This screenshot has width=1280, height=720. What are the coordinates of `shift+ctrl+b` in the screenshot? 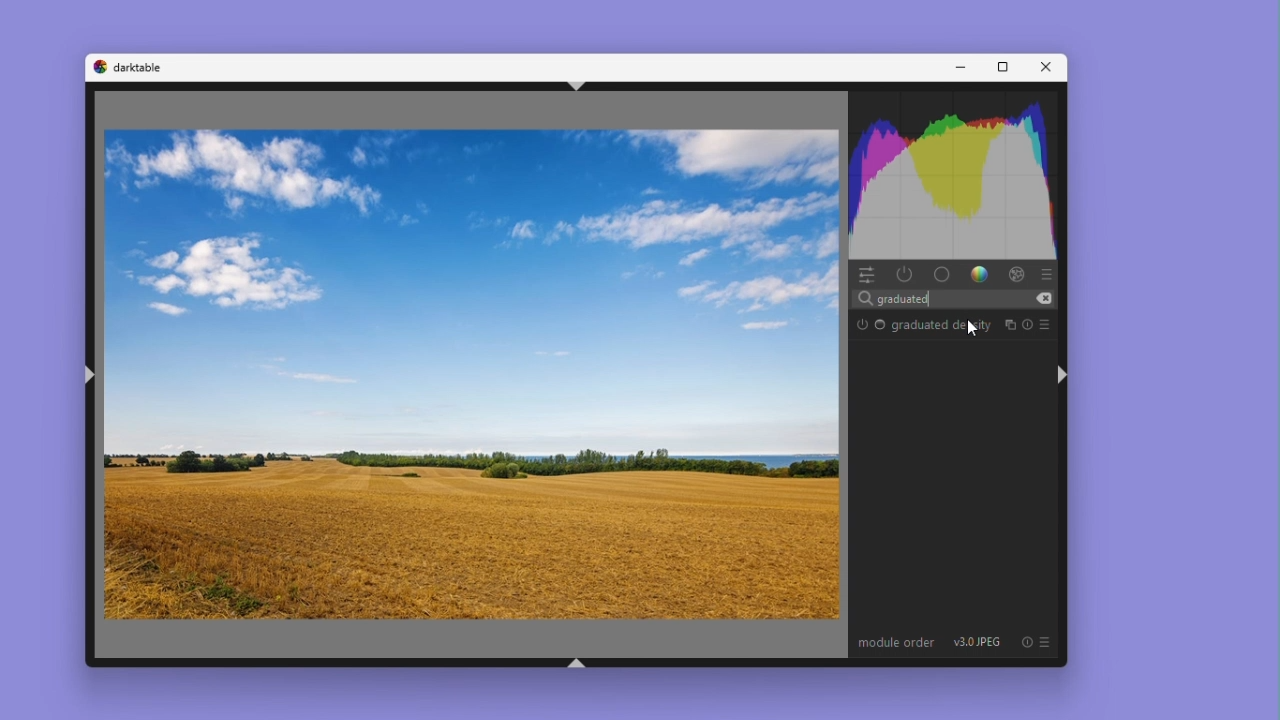 It's located at (578, 665).